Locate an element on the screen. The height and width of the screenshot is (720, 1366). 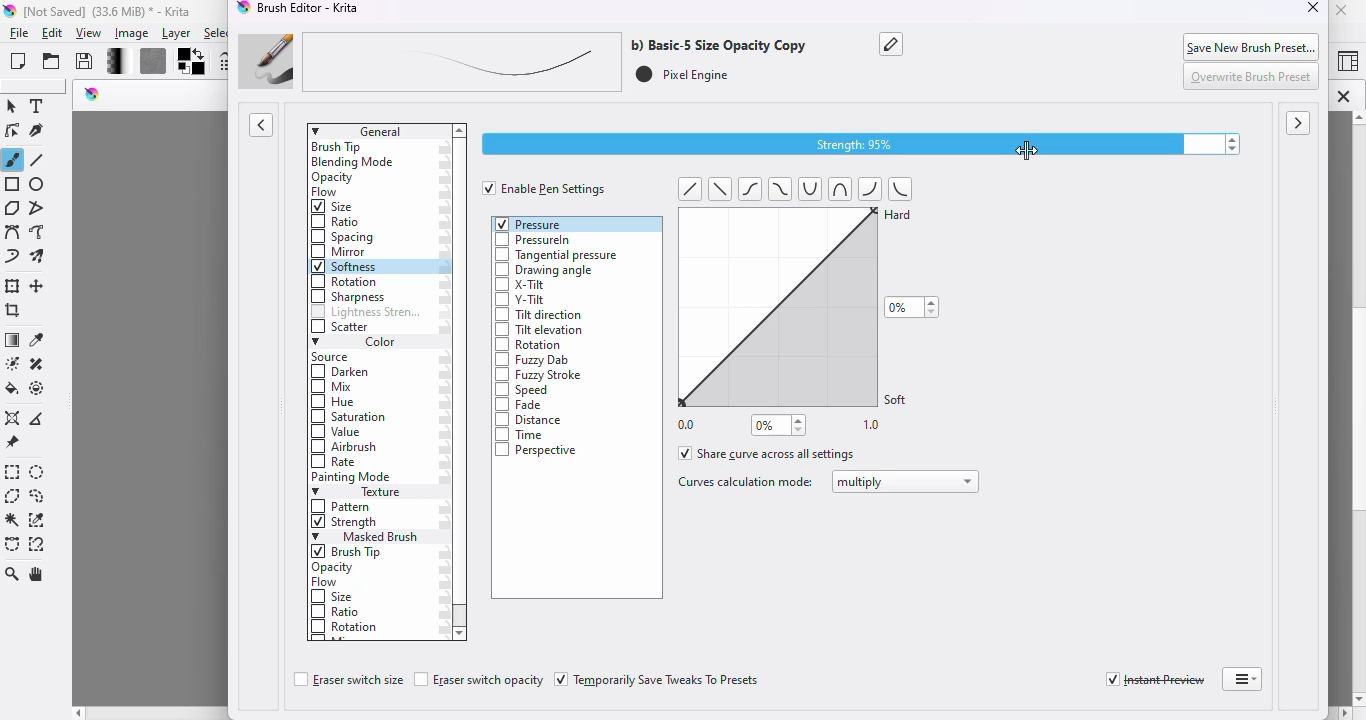
tilt direction is located at coordinates (539, 315).